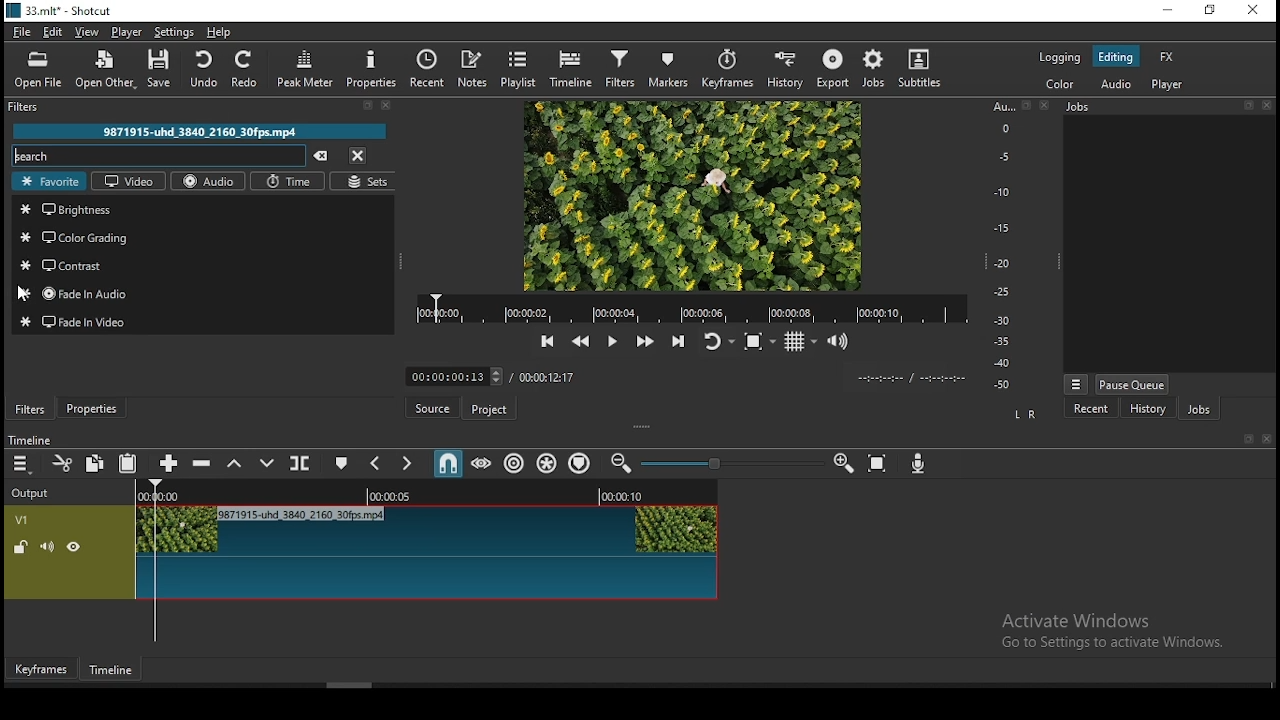 This screenshot has height=720, width=1280. What do you see at coordinates (325, 156) in the screenshot?
I see `clear searches` at bounding box center [325, 156].